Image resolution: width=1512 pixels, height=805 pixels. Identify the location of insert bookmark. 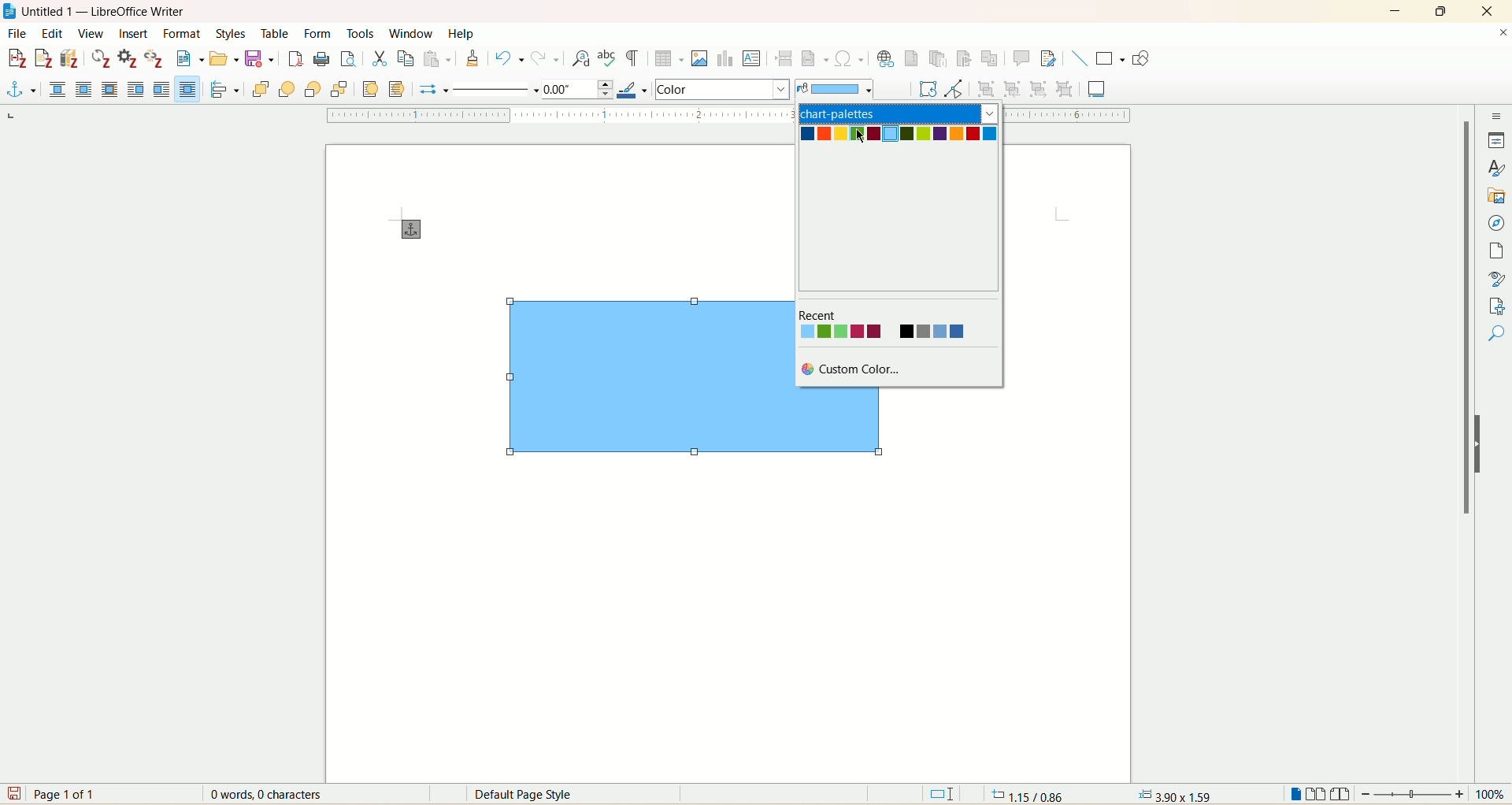
(969, 59).